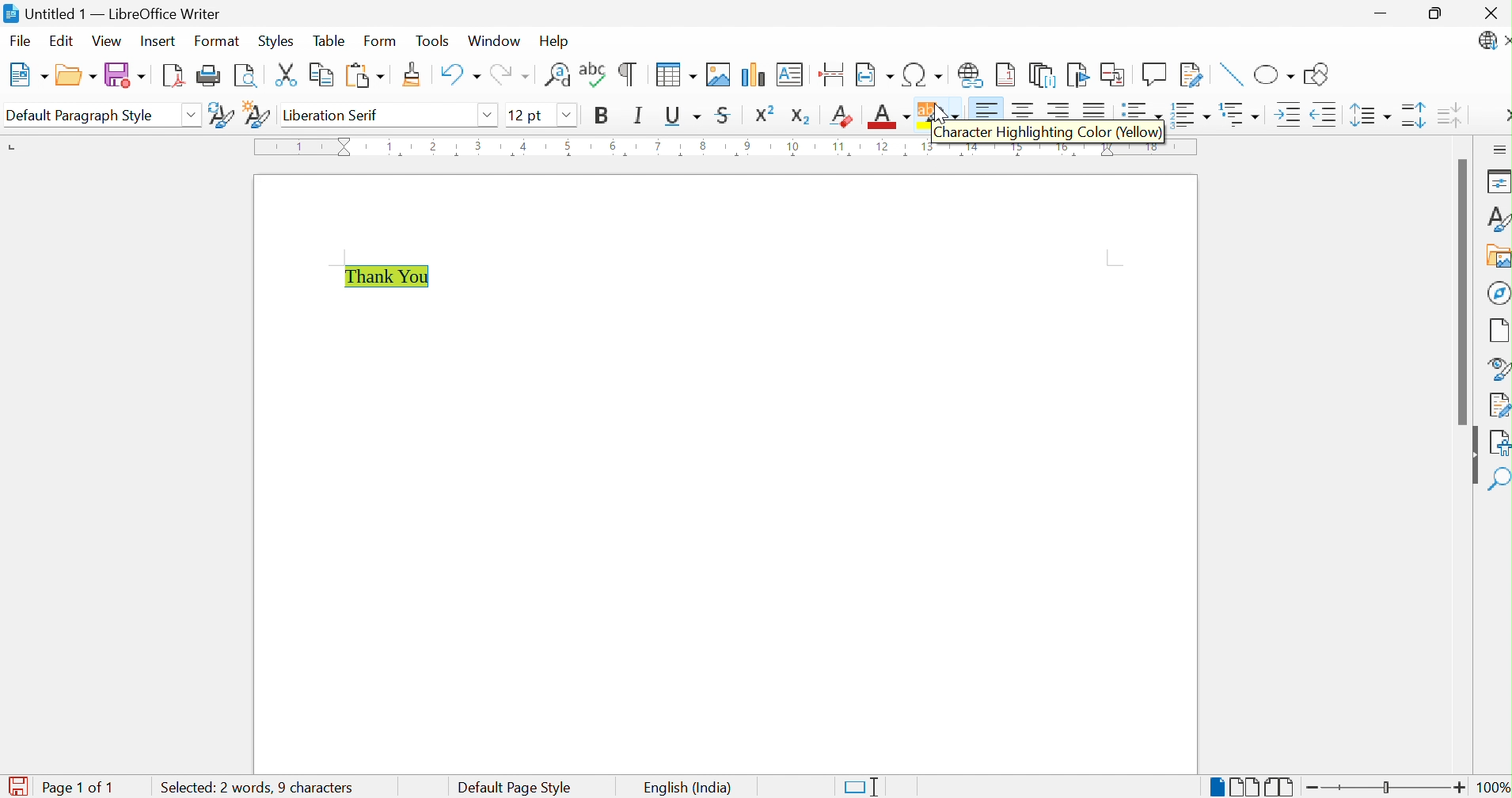  I want to click on Copy, so click(319, 74).